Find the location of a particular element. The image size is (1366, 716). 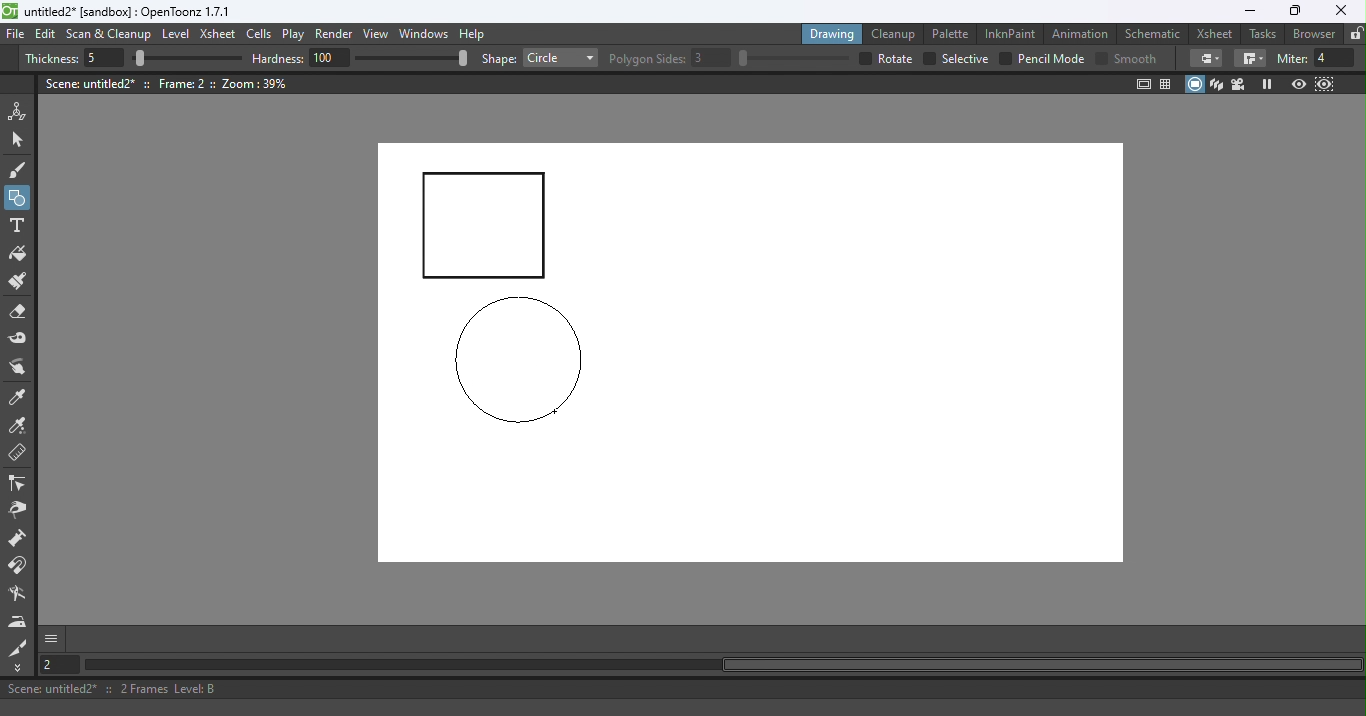

slider is located at coordinates (793, 58).